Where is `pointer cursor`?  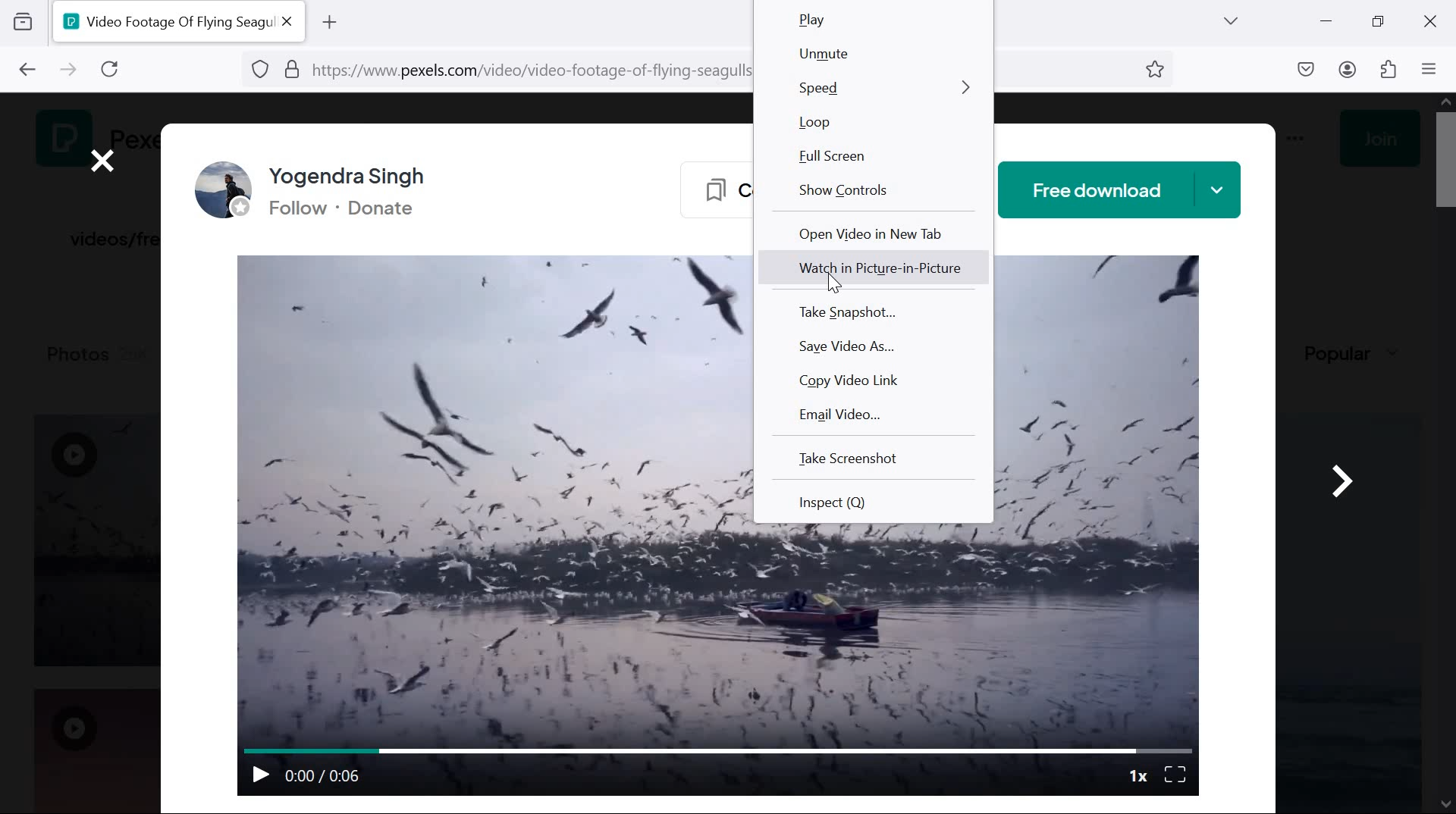 pointer cursor is located at coordinates (830, 281).